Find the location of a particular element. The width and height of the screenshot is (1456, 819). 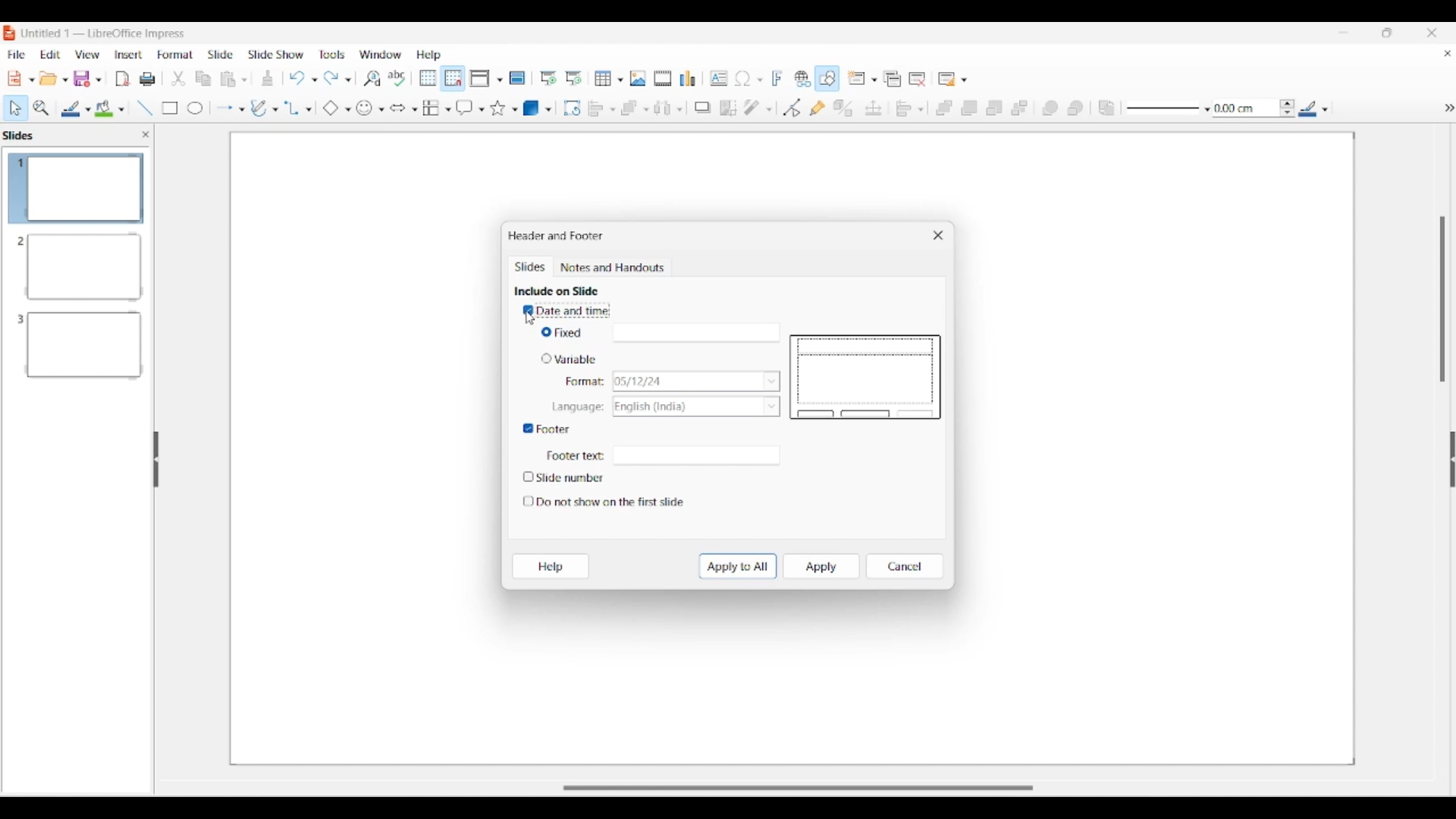

Slides, current tab highlighted is located at coordinates (532, 268).